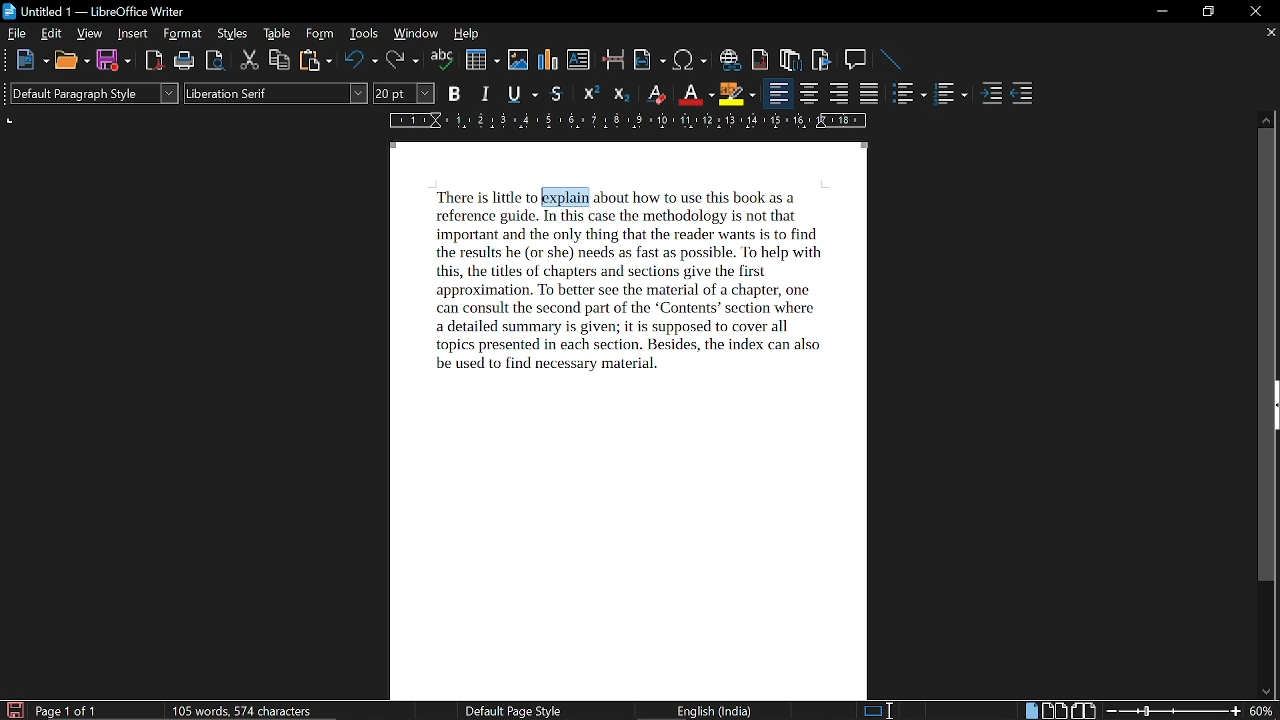  What do you see at coordinates (538, 195) in the screenshot?
I see `cursor` at bounding box center [538, 195].